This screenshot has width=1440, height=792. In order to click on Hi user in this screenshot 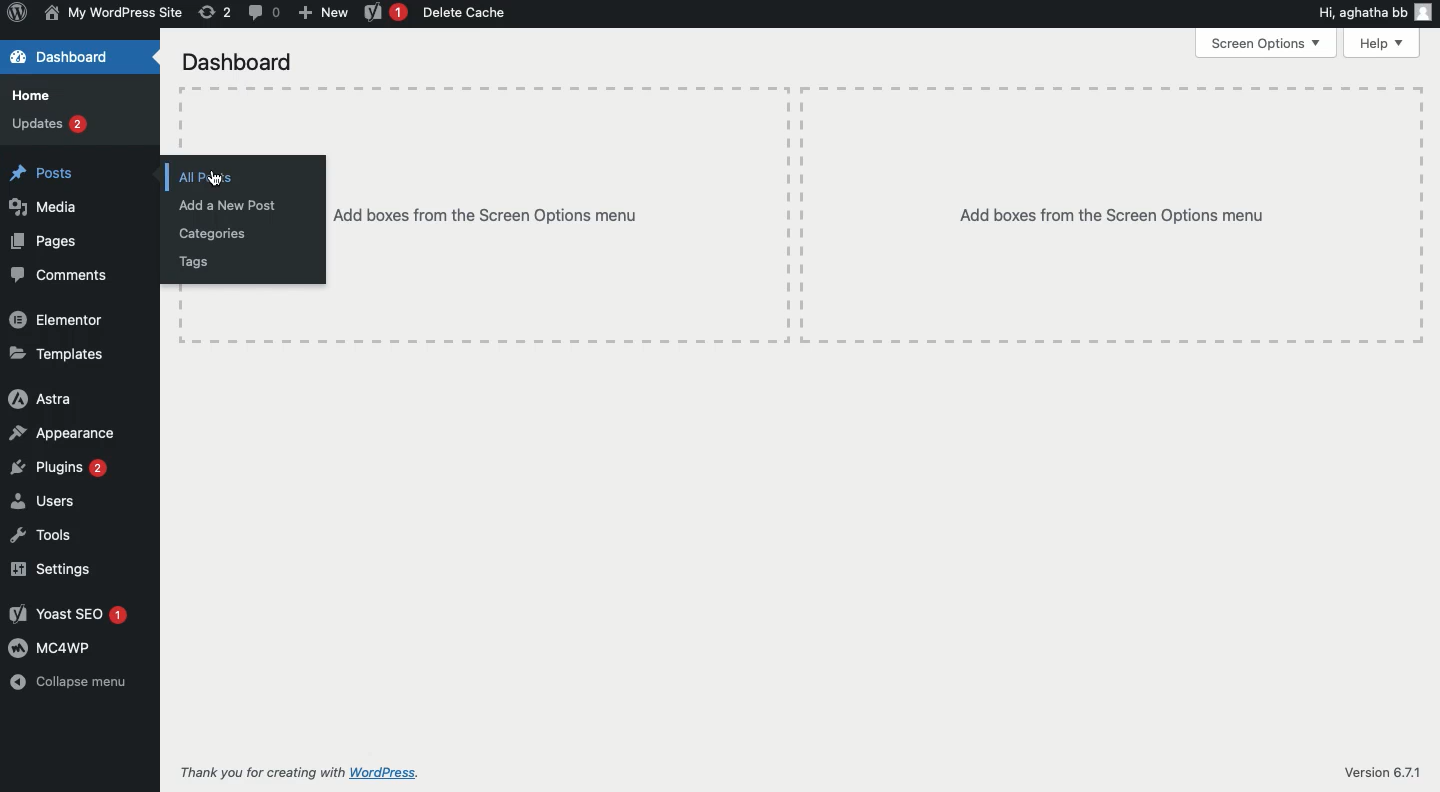, I will do `click(1376, 14)`.